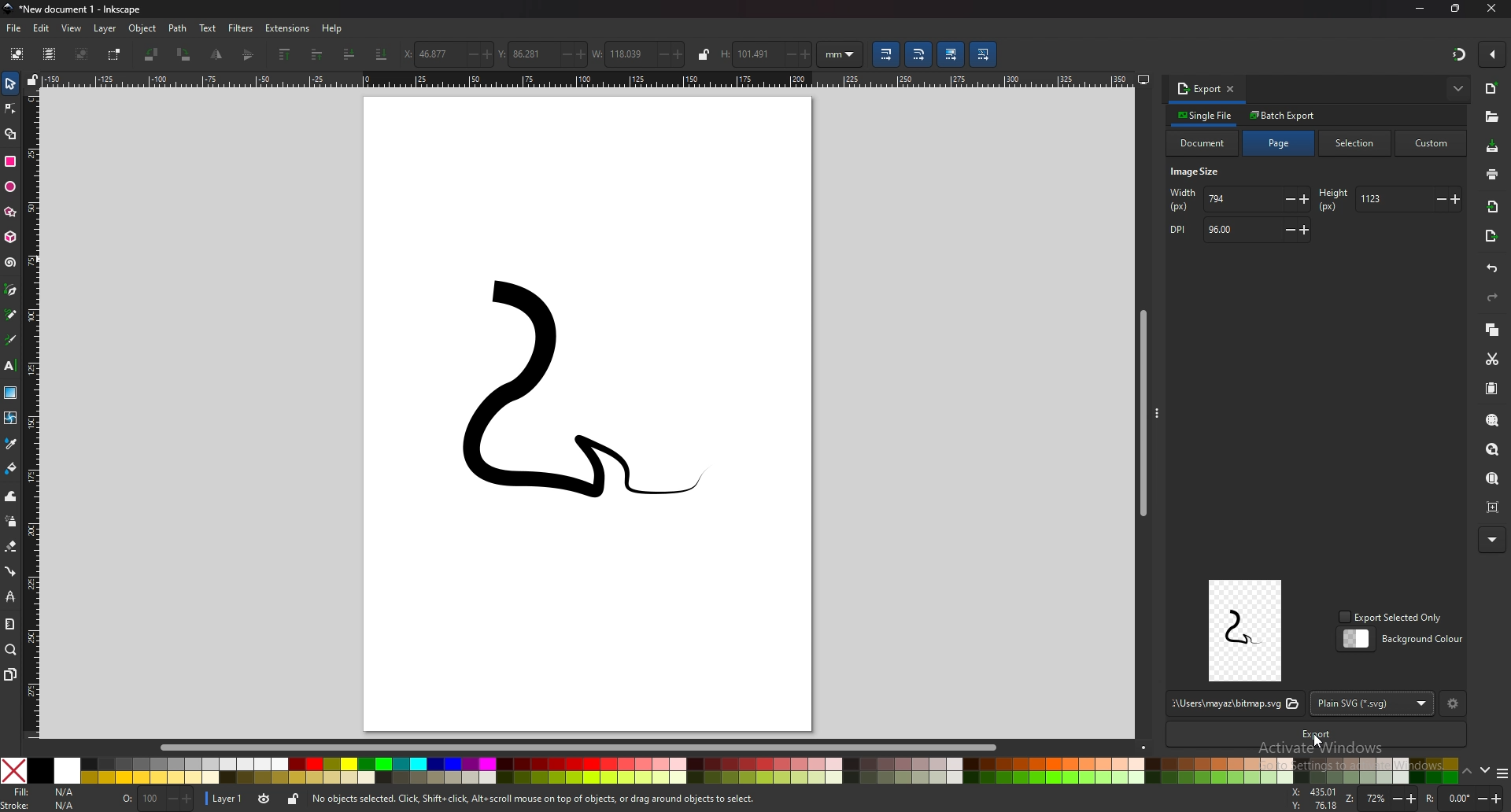  I want to click on layer, so click(107, 28).